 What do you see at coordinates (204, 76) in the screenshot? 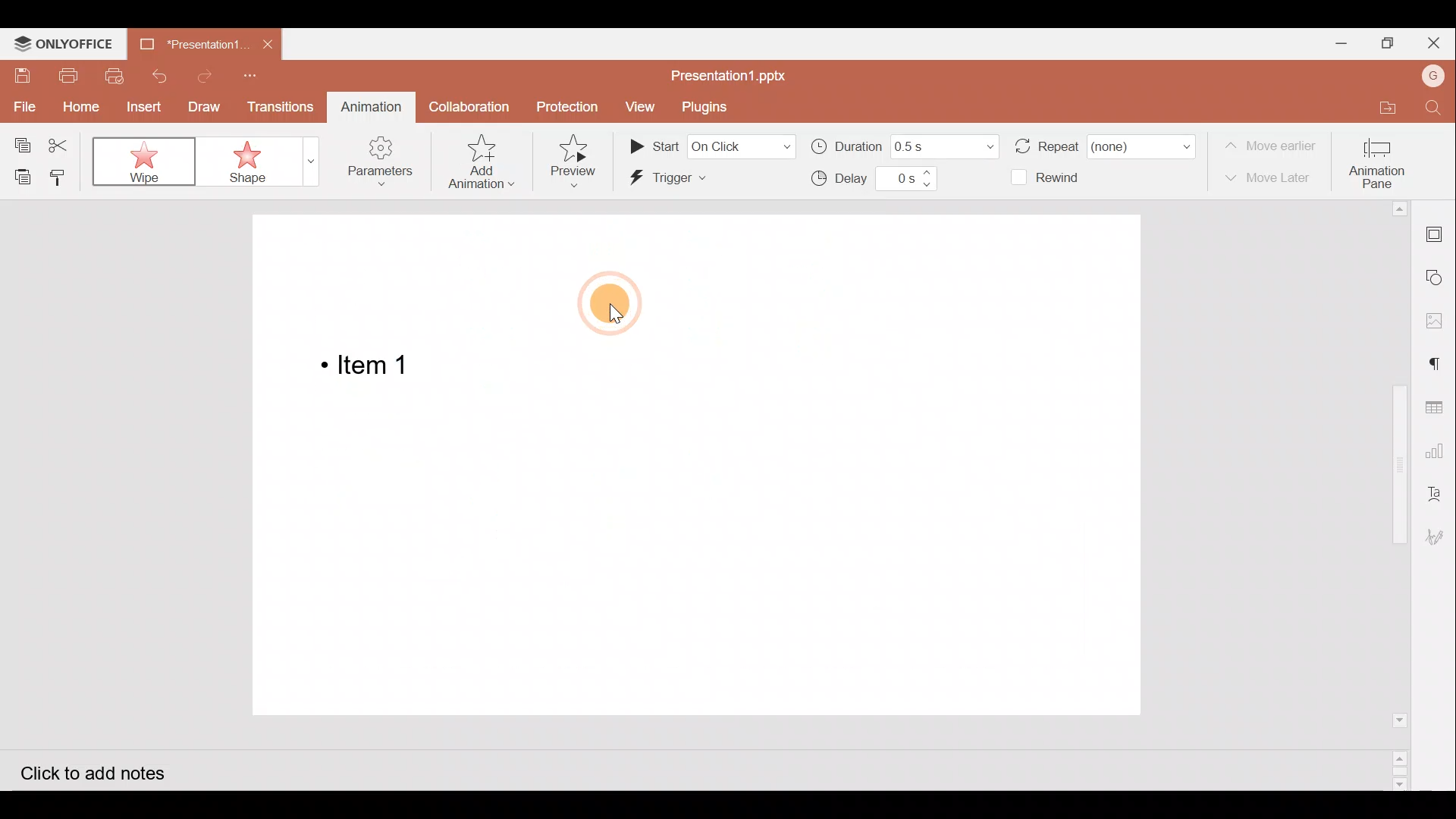
I see `Redo` at bounding box center [204, 76].